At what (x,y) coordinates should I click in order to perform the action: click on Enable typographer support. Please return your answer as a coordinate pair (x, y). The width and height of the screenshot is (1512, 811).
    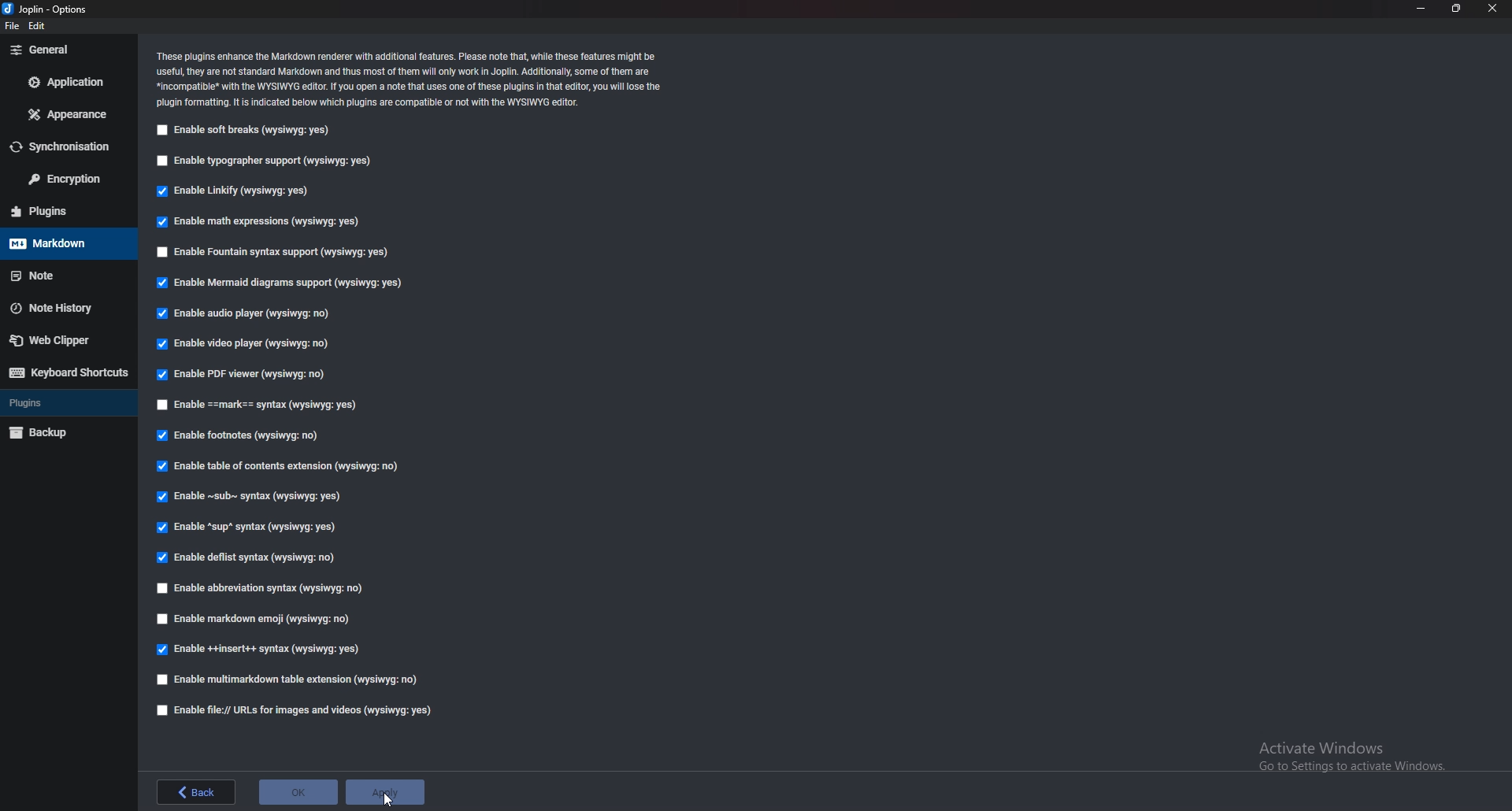
    Looking at the image, I should click on (272, 162).